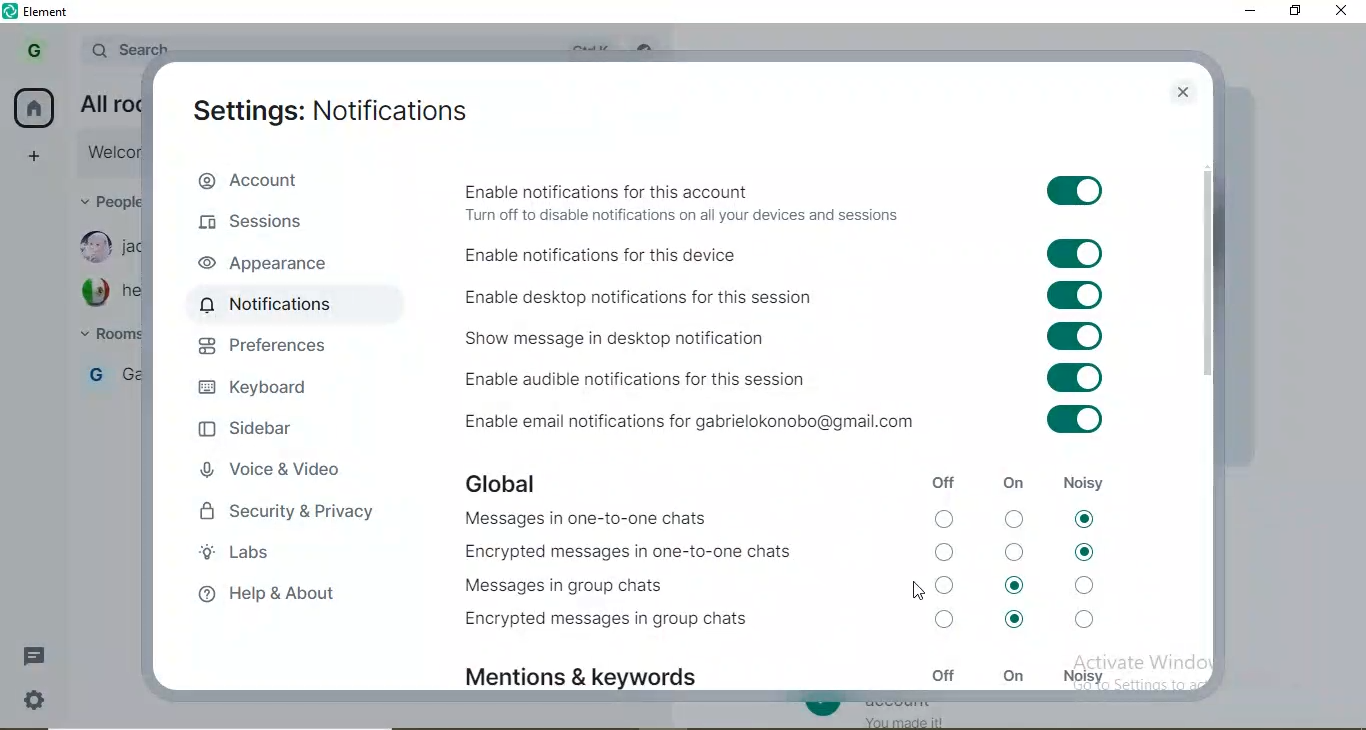 The height and width of the screenshot is (730, 1366). What do you see at coordinates (947, 622) in the screenshot?
I see `switch off` at bounding box center [947, 622].